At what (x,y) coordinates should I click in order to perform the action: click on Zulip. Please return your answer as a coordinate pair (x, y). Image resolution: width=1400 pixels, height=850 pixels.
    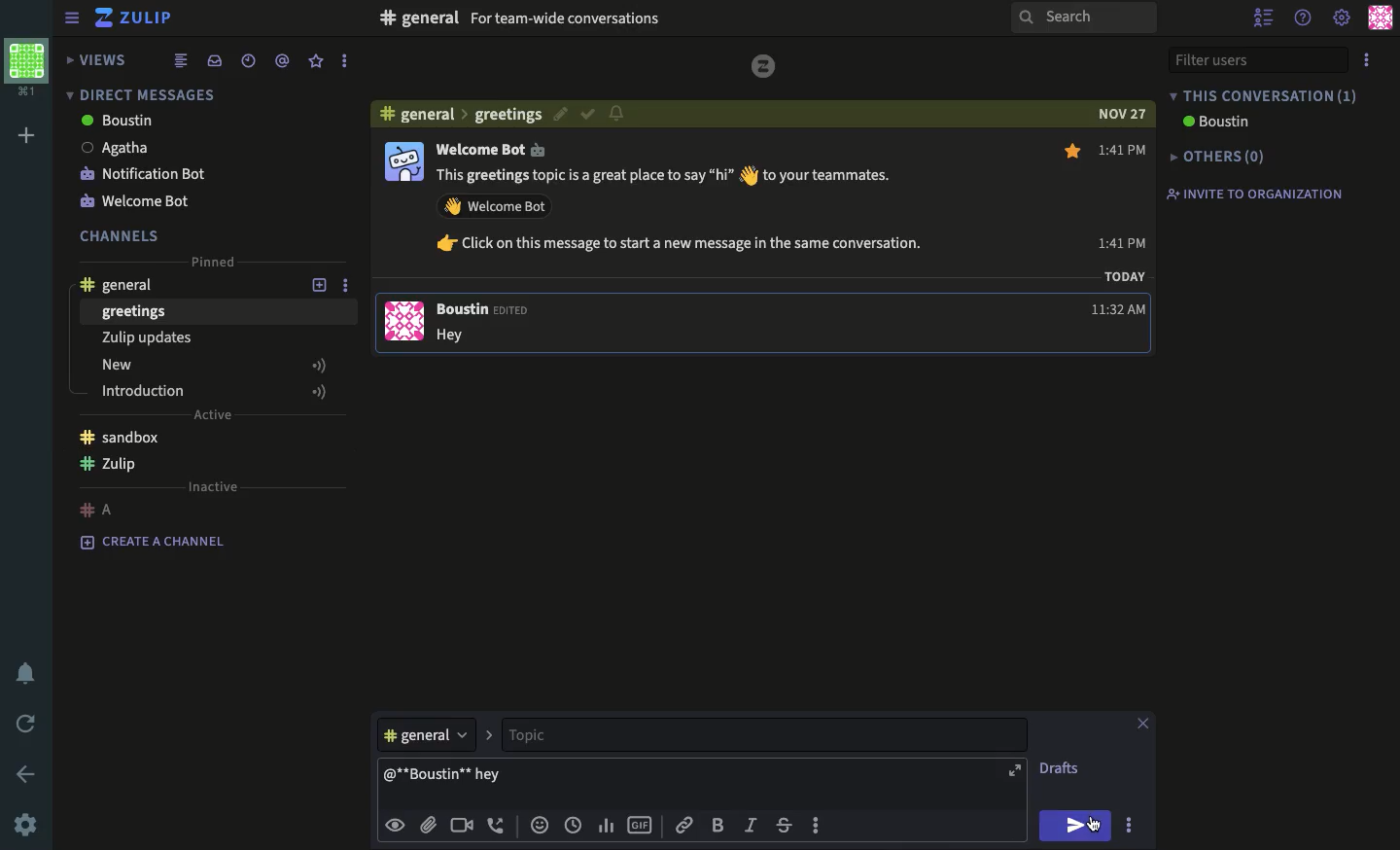
    Looking at the image, I should click on (109, 464).